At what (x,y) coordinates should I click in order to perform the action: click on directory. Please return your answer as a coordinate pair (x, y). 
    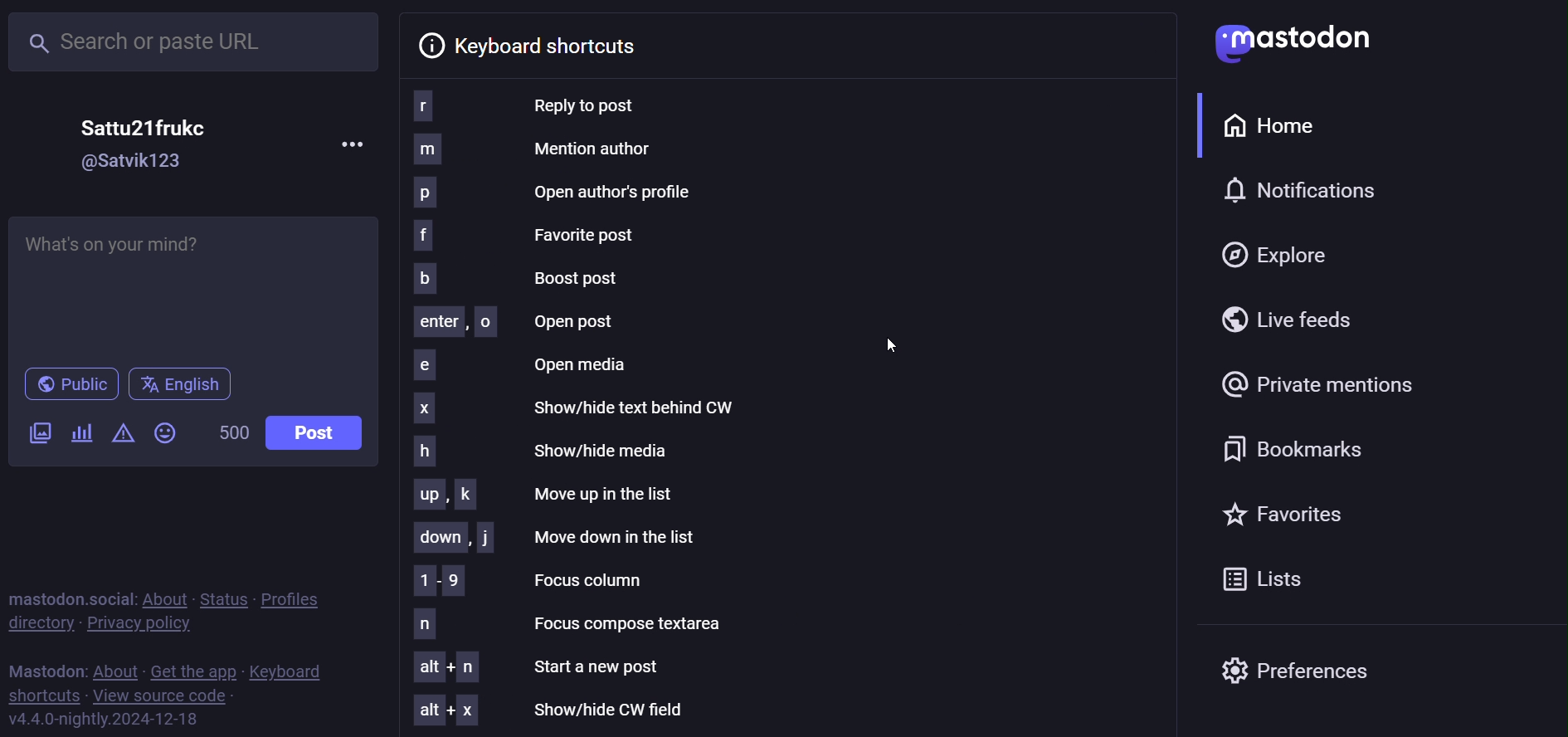
    Looking at the image, I should click on (43, 622).